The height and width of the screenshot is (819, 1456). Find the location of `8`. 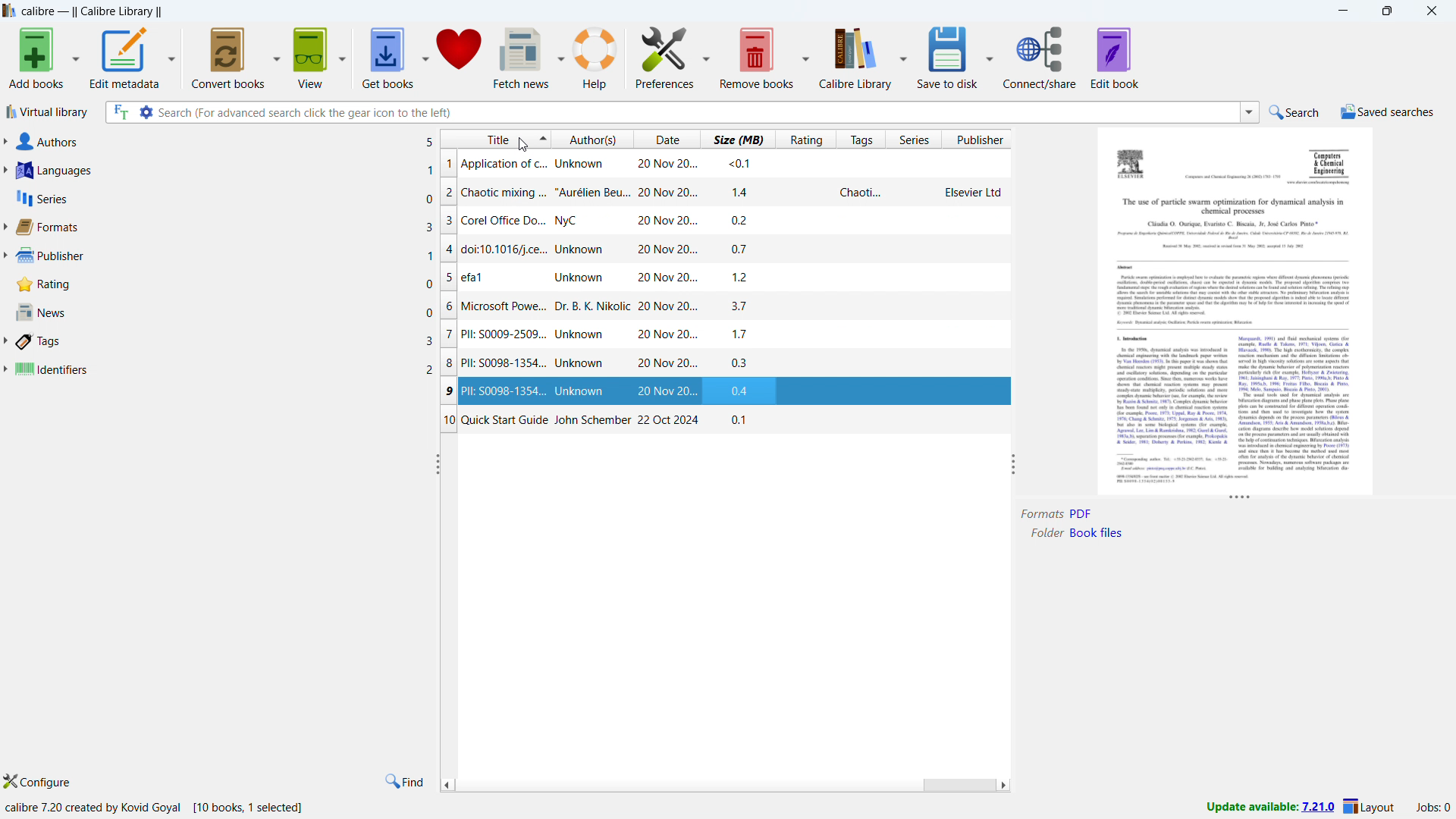

8 is located at coordinates (449, 364).